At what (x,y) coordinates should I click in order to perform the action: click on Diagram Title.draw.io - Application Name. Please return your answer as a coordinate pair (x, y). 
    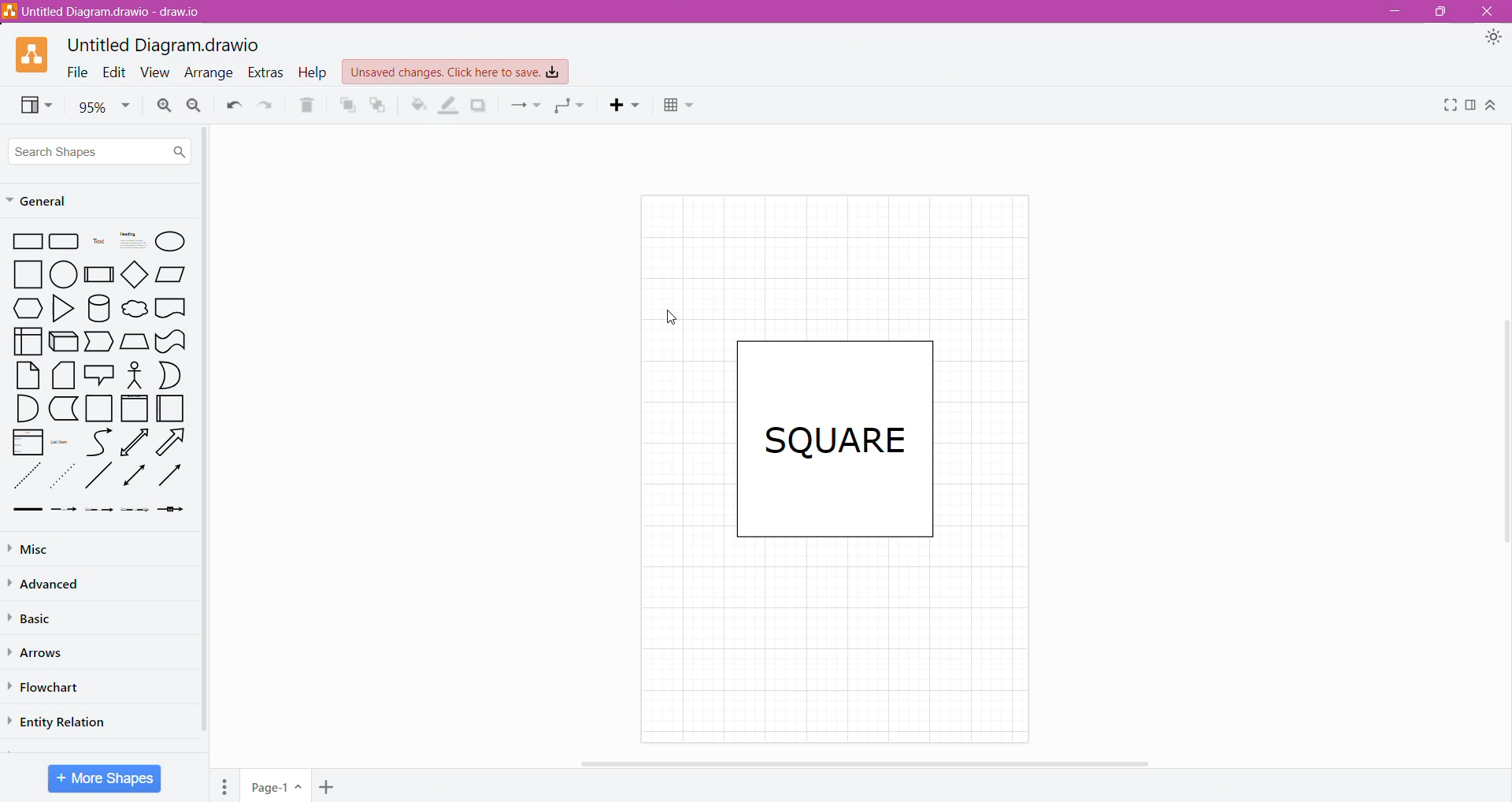
    Looking at the image, I should click on (109, 11).